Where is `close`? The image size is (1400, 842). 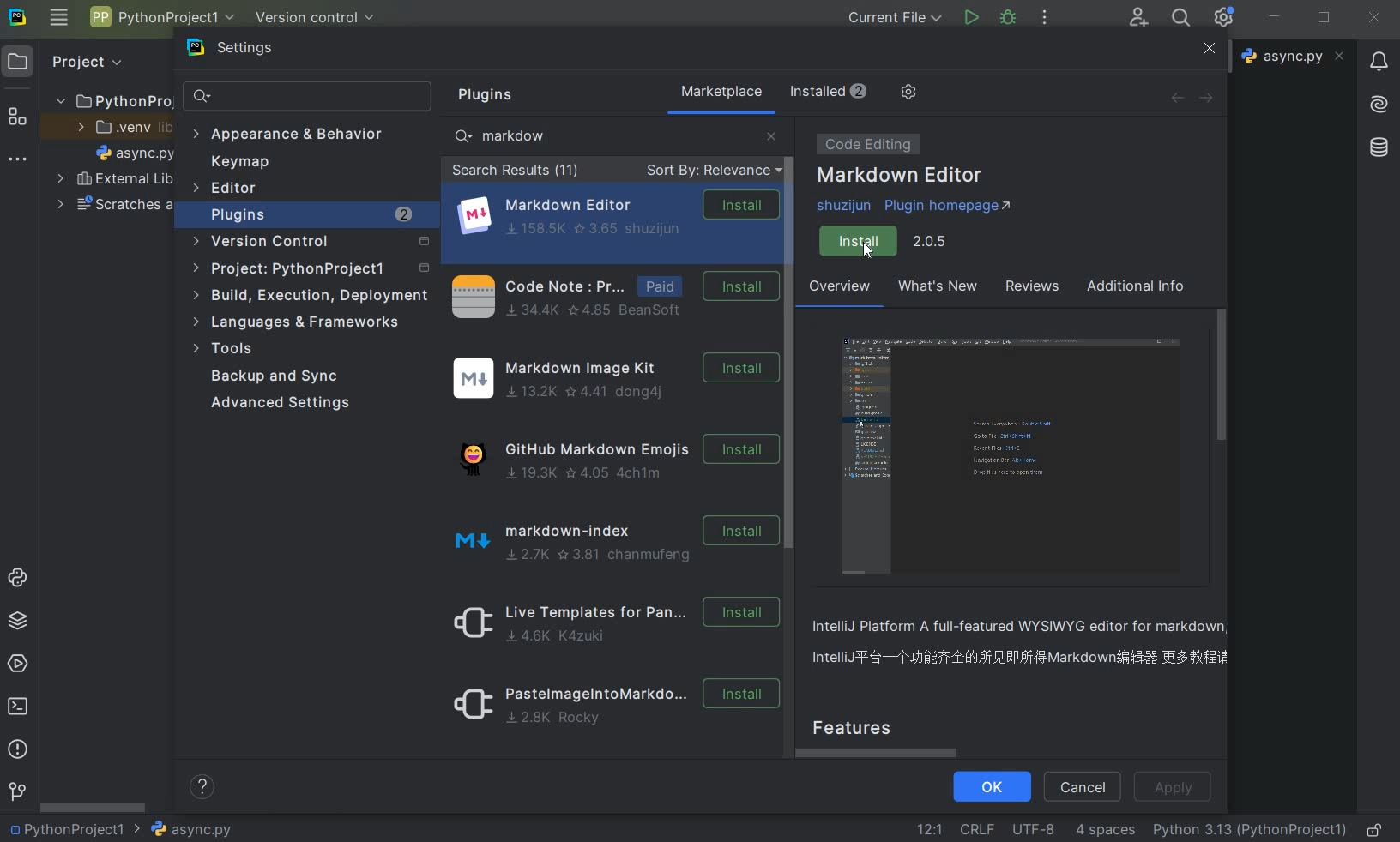 close is located at coordinates (1209, 49).